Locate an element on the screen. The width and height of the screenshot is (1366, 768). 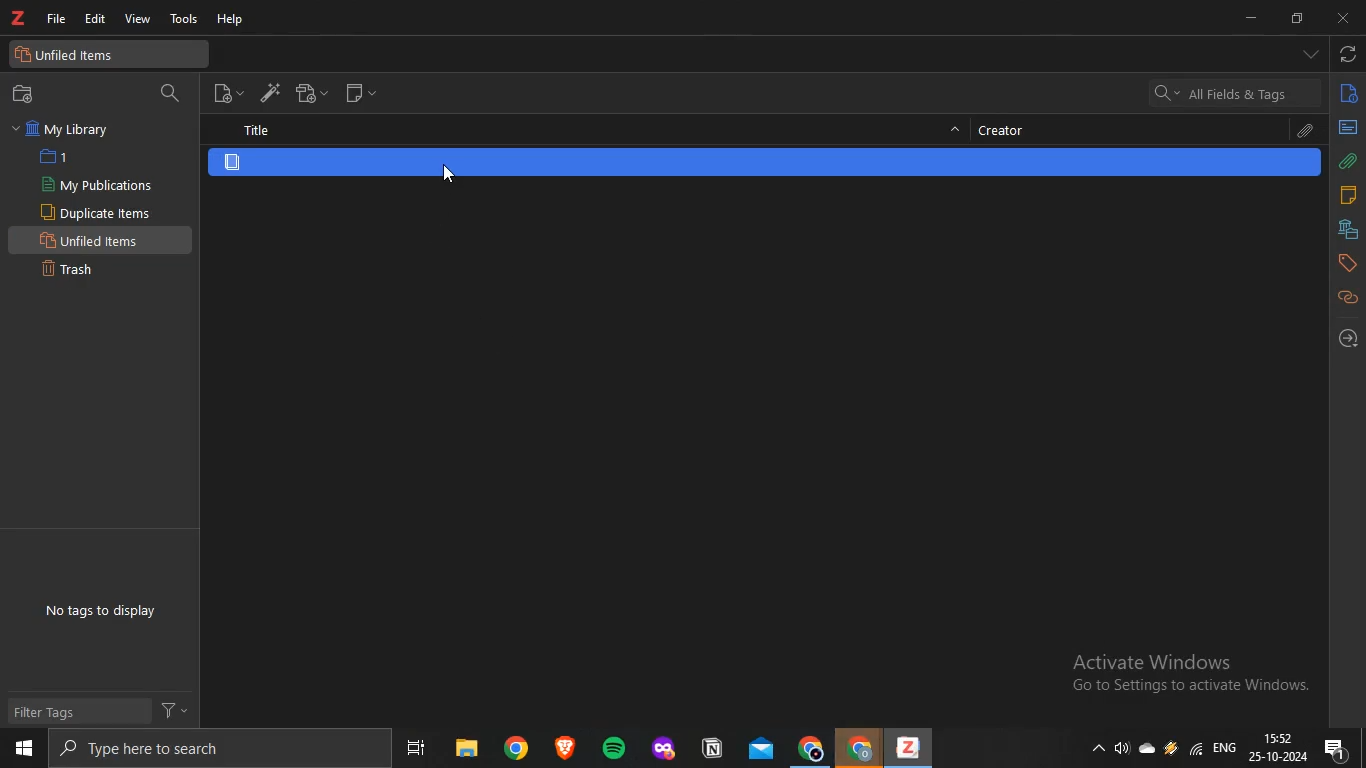
drive is located at coordinates (1171, 747).